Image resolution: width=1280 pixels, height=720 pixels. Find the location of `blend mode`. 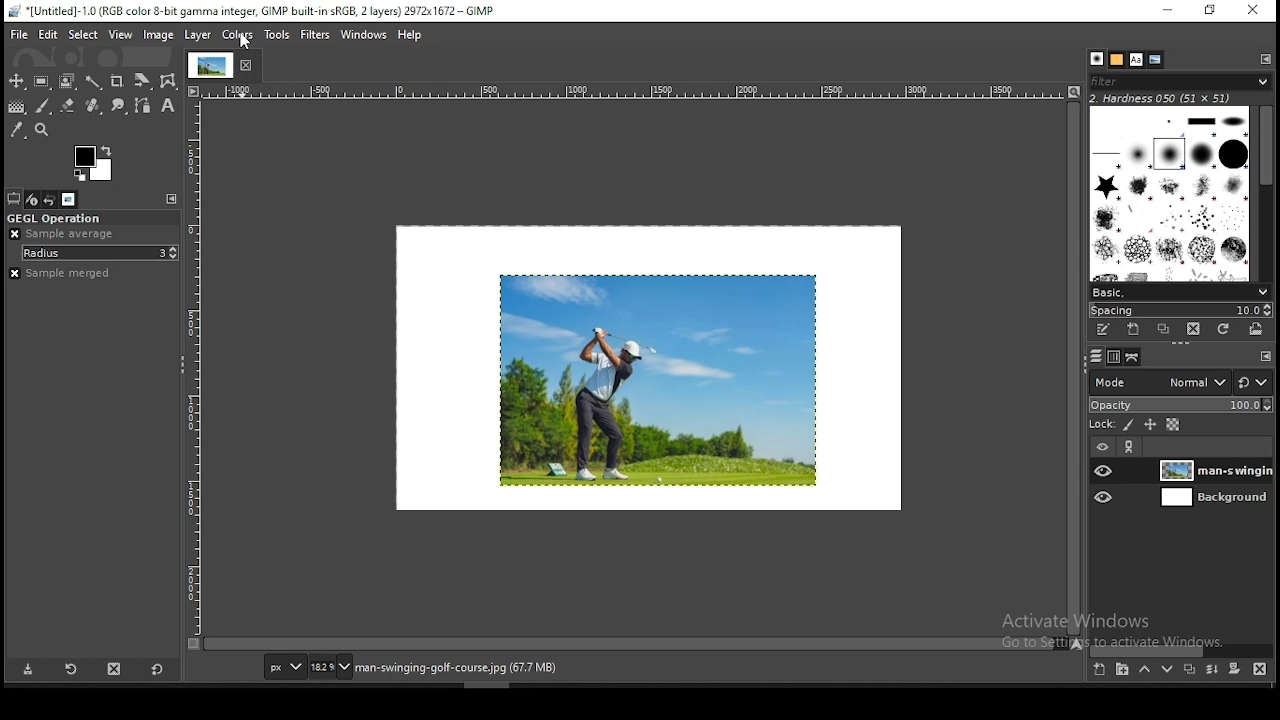

blend mode is located at coordinates (1181, 382).